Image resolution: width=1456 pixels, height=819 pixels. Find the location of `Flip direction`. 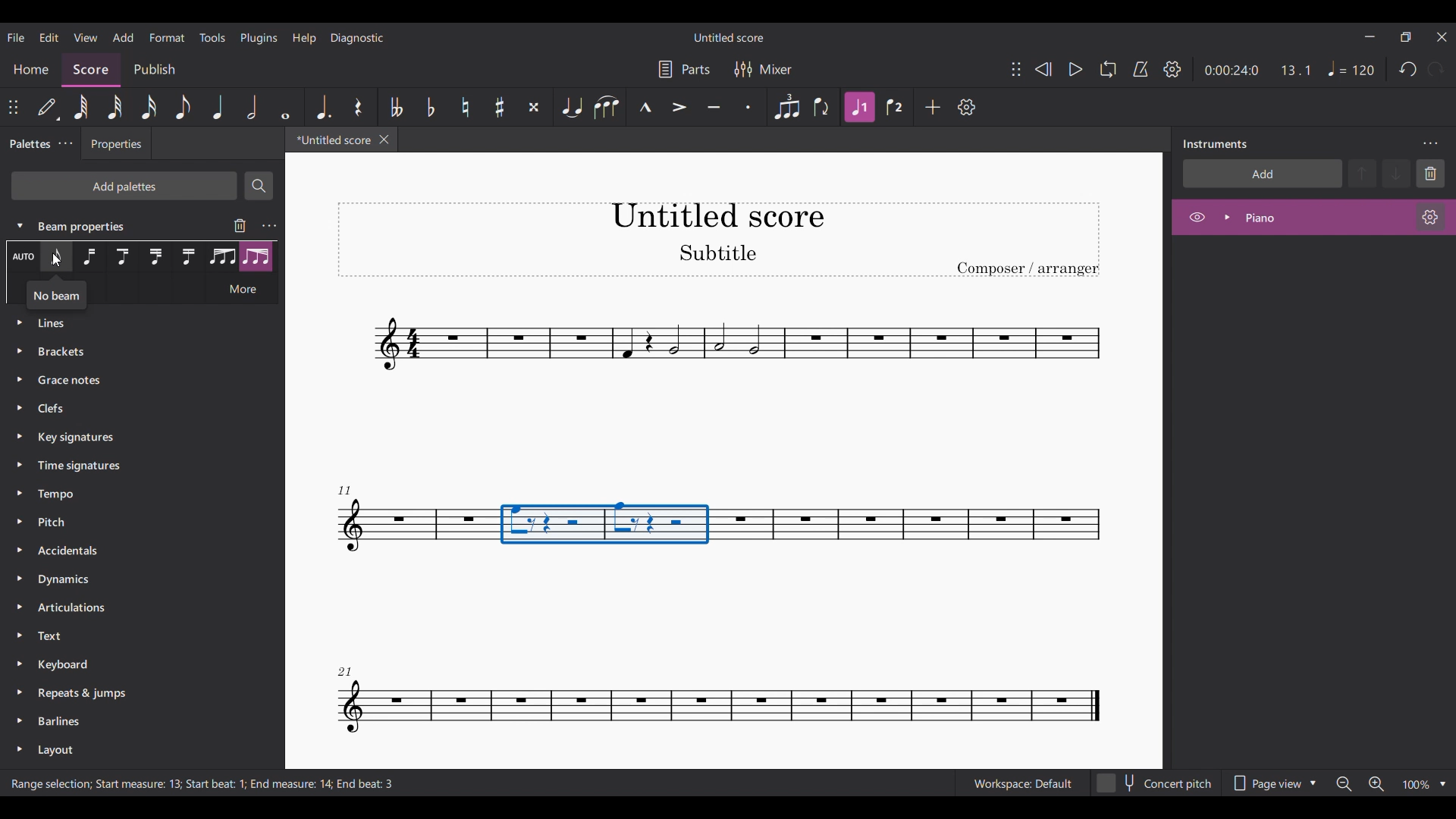

Flip direction is located at coordinates (822, 108).